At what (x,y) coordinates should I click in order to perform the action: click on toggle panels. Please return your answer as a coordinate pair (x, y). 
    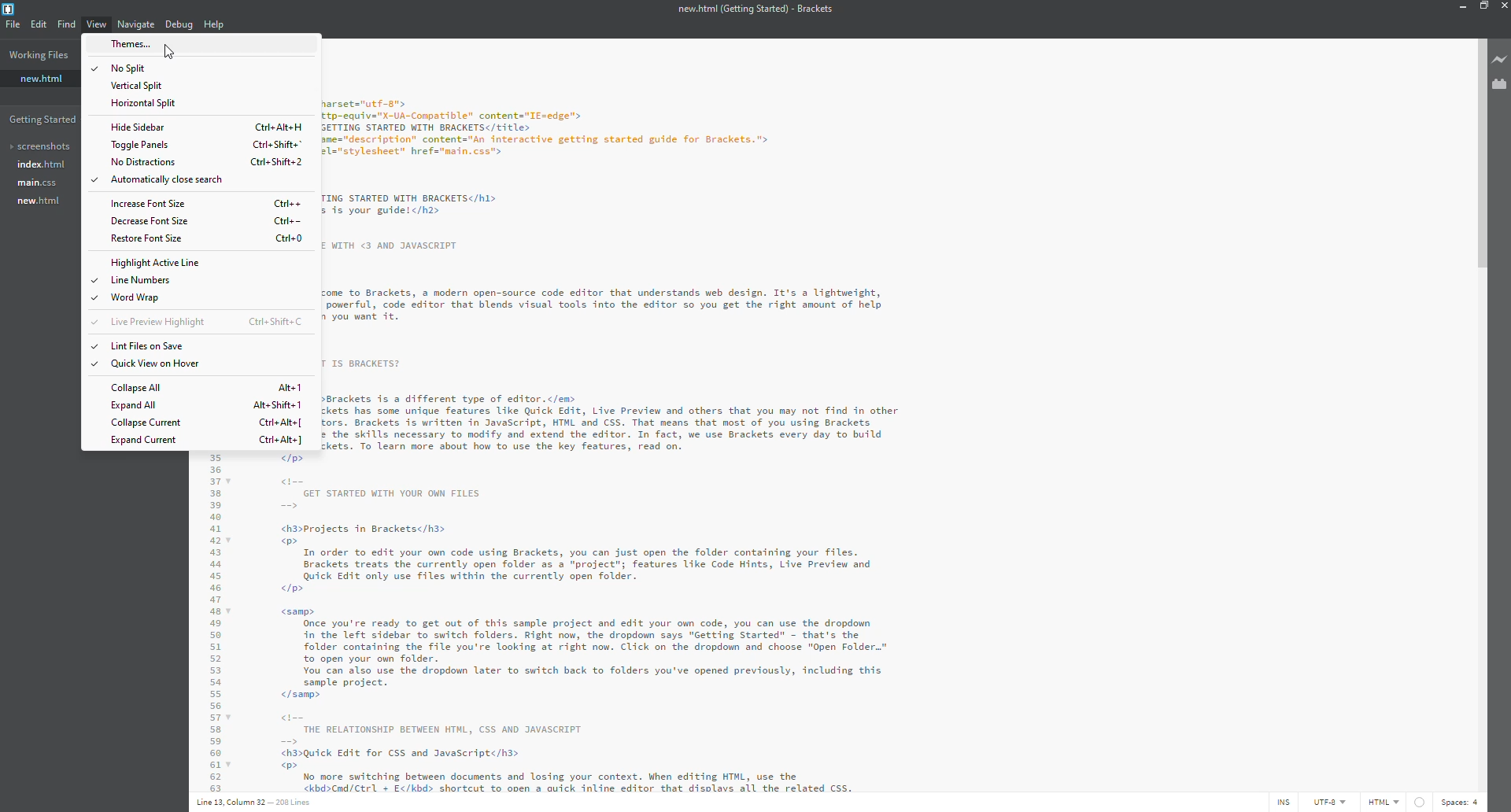
    Looking at the image, I should click on (141, 144).